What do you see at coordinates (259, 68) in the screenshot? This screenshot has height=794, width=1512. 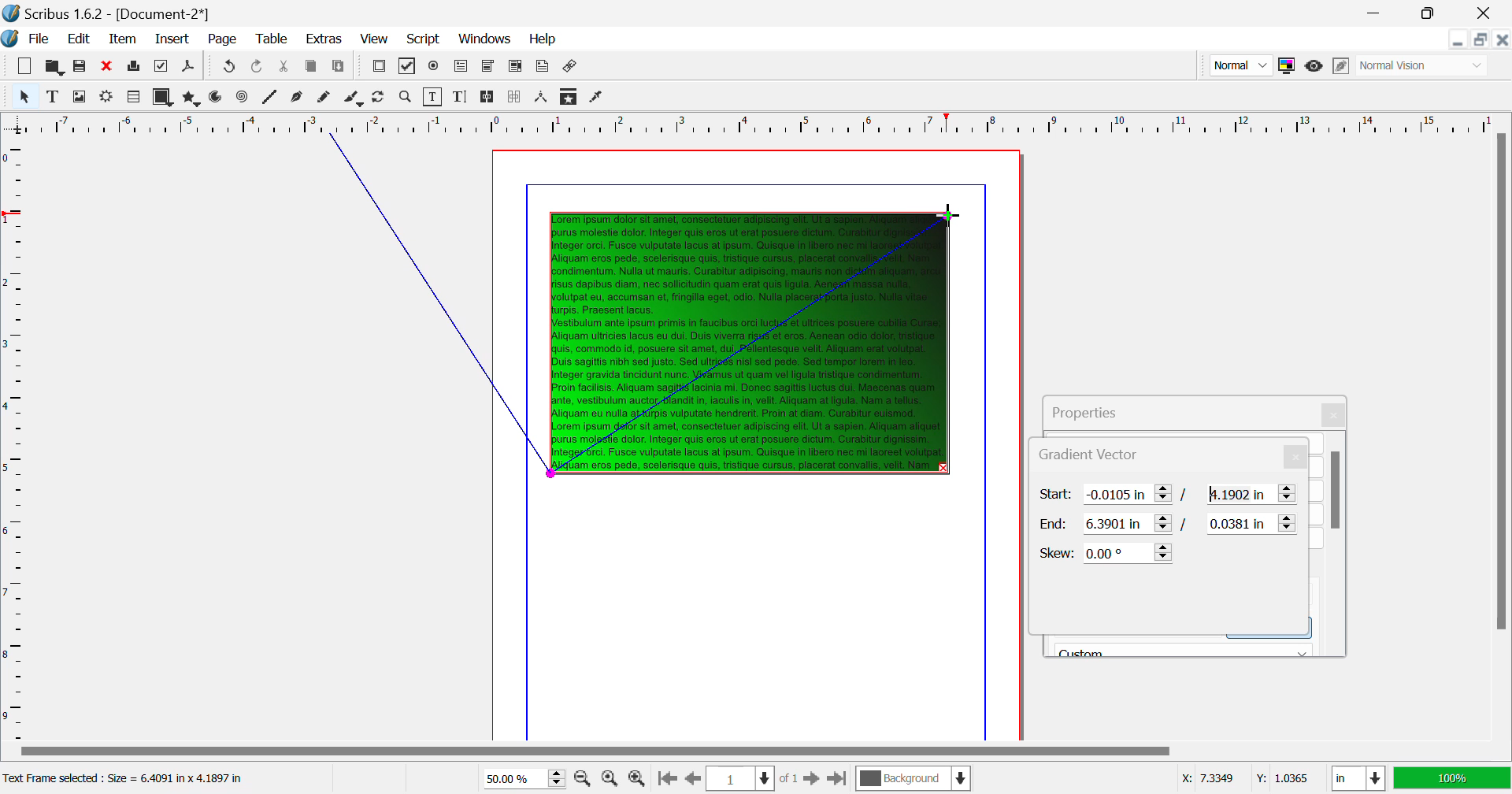 I see `Undo` at bounding box center [259, 68].